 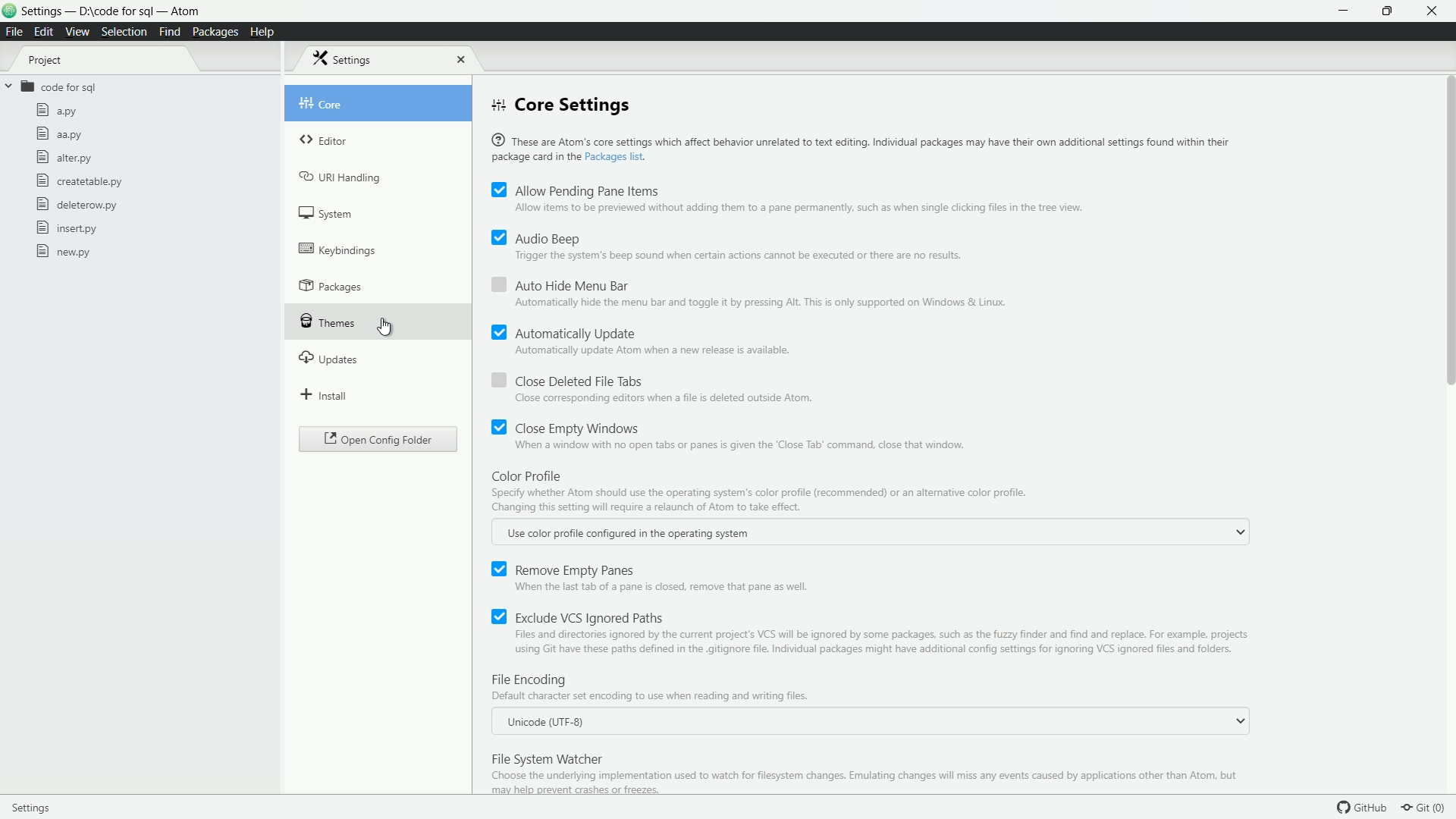 I want to click on choose the underlying implementation used to watch for filesystem changes . emulating changes will miss any events caused by applications other than atom, but may help prevent crashes or freezes., so click(x=865, y=782).